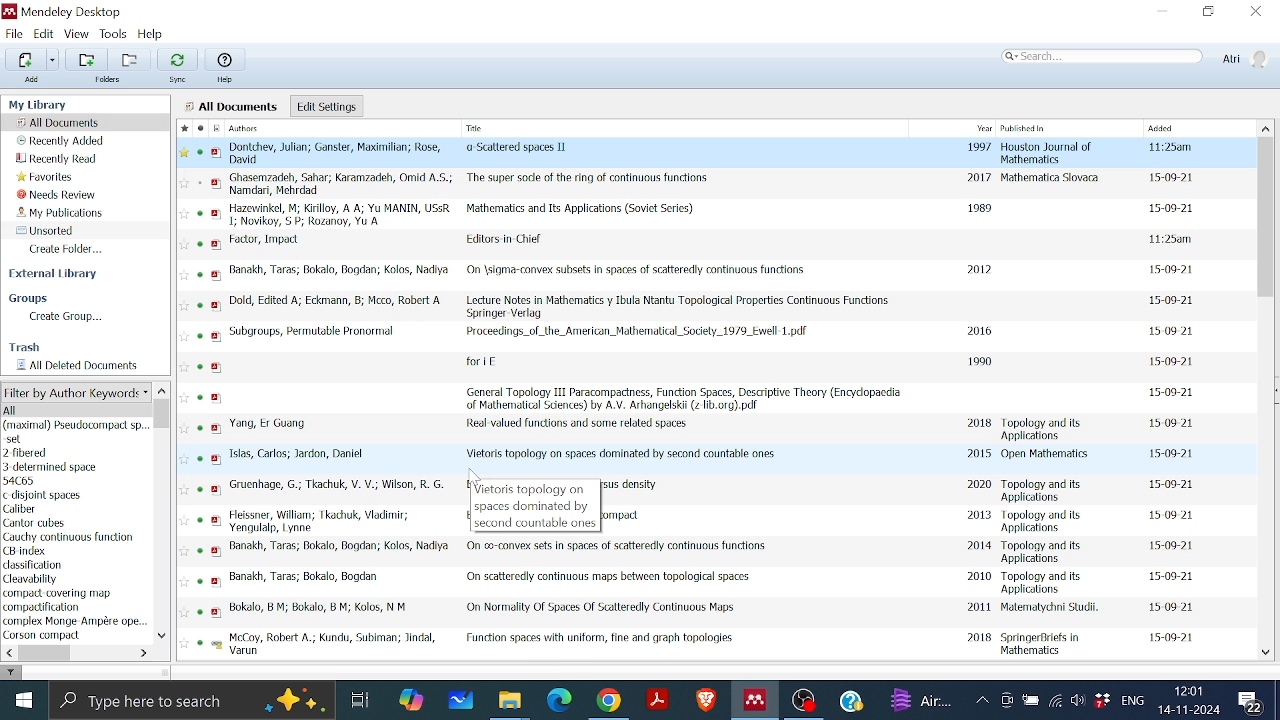 The width and height of the screenshot is (1280, 720). I want to click on date, so click(1169, 300).